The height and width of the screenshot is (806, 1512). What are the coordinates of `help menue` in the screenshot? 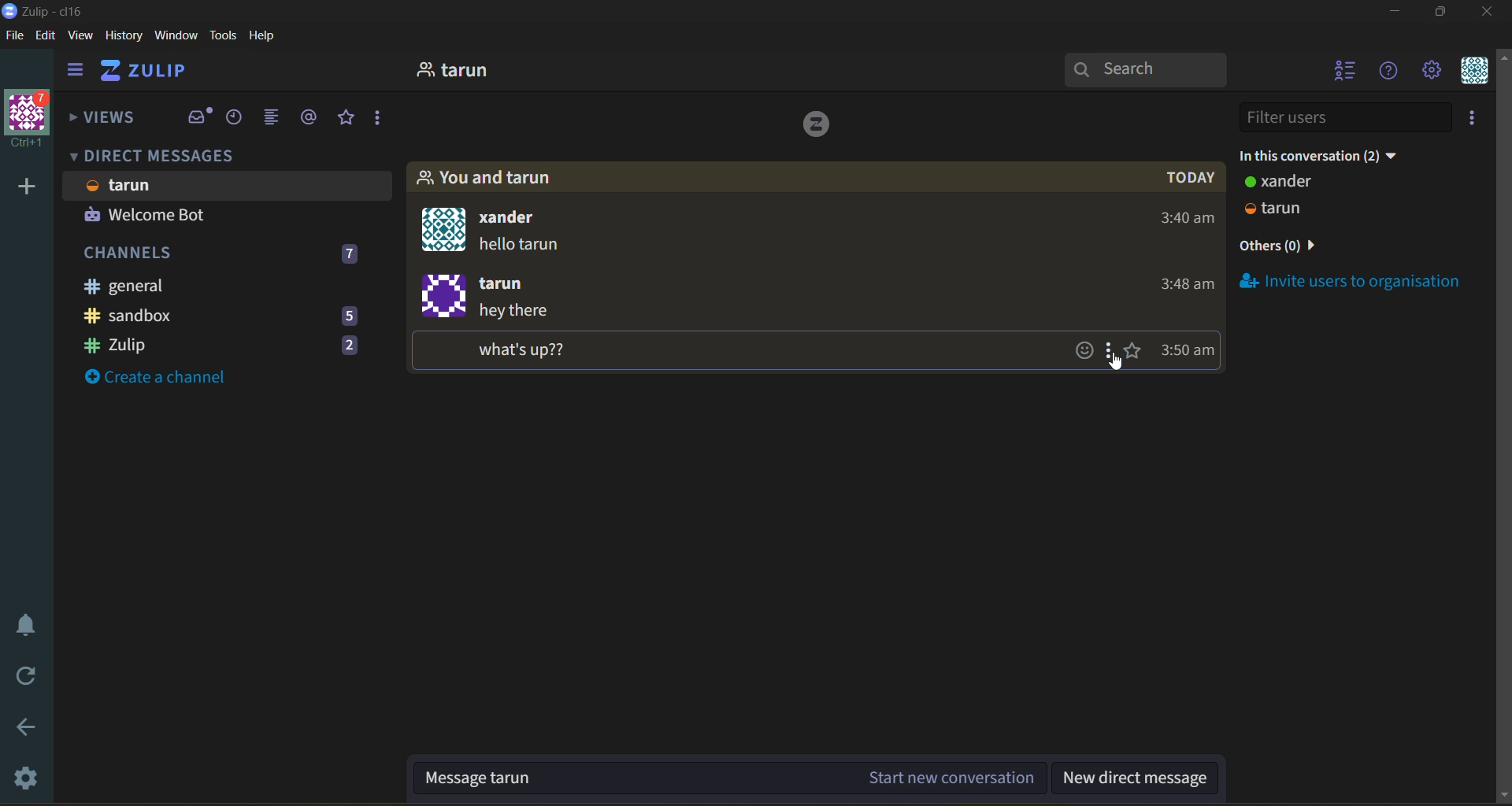 It's located at (1389, 71).